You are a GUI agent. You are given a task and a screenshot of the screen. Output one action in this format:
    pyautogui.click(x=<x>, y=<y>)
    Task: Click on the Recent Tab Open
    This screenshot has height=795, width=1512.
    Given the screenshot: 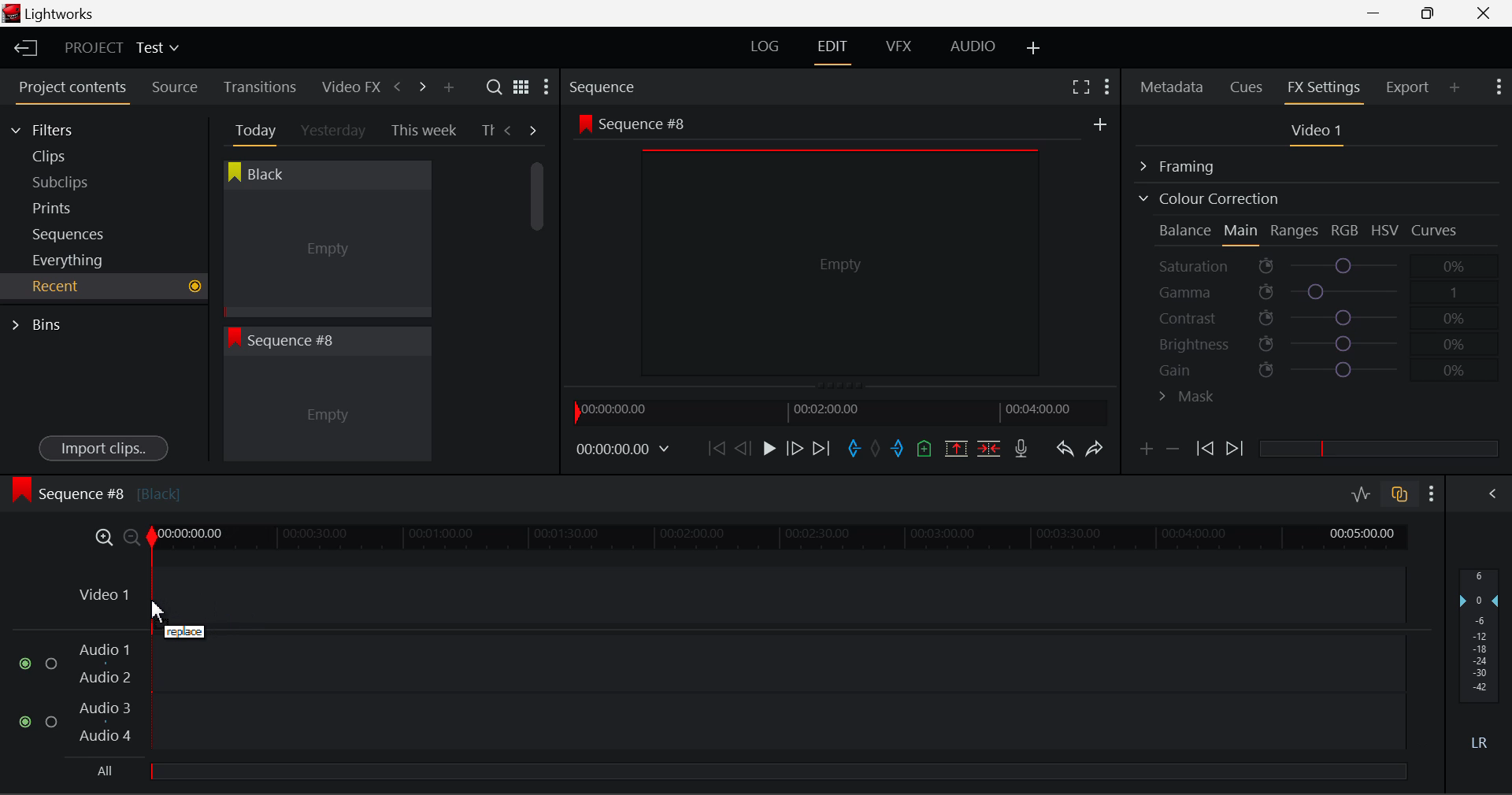 What is the action you would take?
    pyautogui.click(x=104, y=287)
    